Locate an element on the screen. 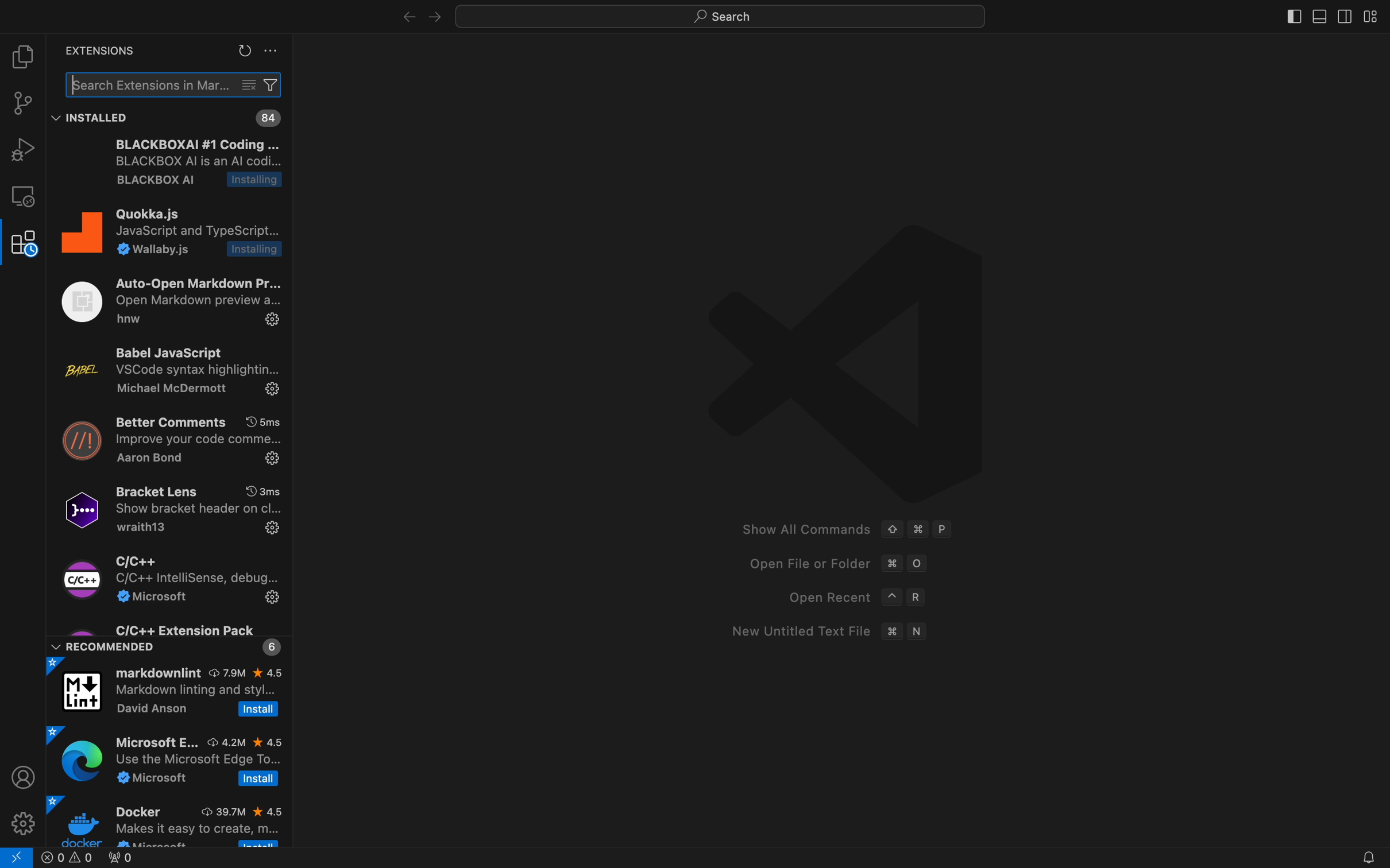  extensions is located at coordinates (95, 50).